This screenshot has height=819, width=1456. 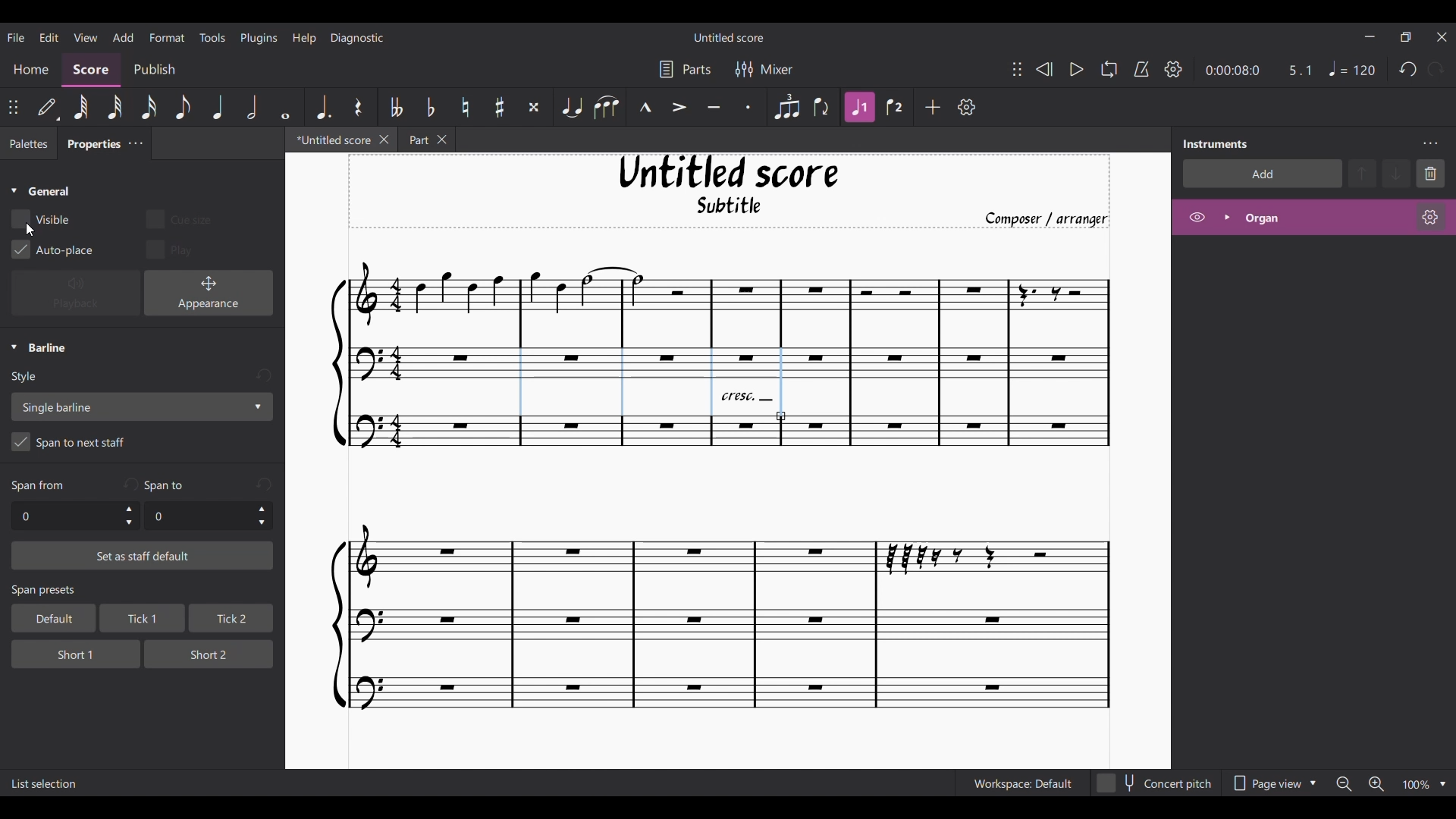 What do you see at coordinates (27, 144) in the screenshot?
I see `Palette tab` at bounding box center [27, 144].